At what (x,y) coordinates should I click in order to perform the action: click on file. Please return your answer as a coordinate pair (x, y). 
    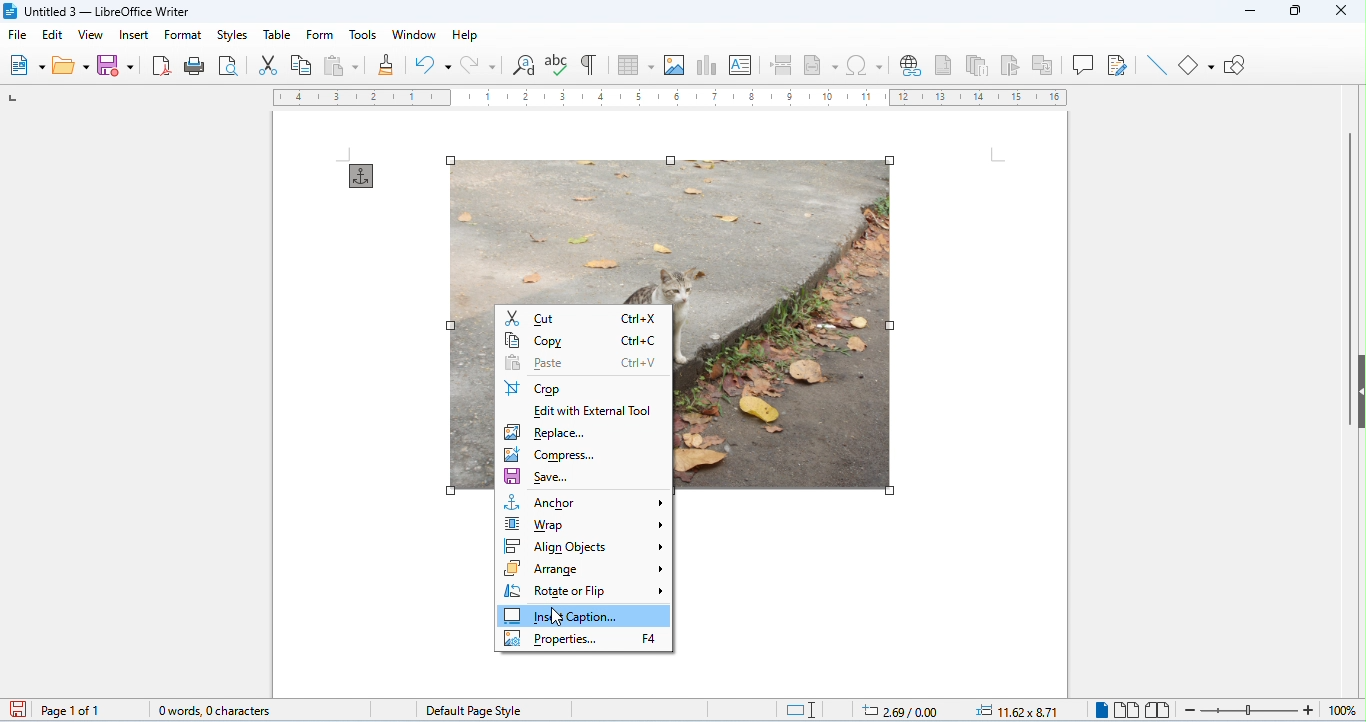
    Looking at the image, I should click on (17, 36).